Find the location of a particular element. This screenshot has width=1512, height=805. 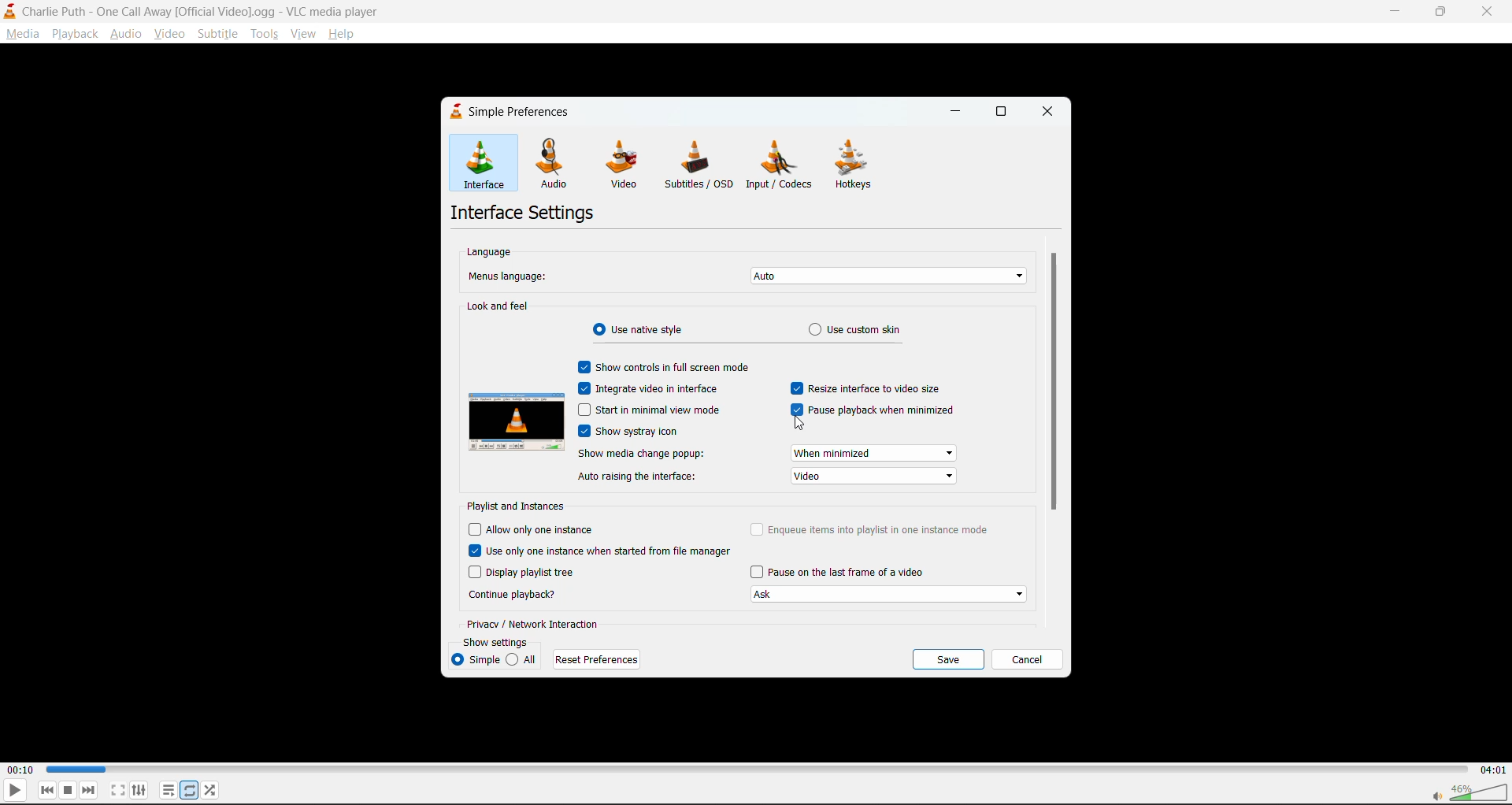

show controls in full screen mode is located at coordinates (680, 369).